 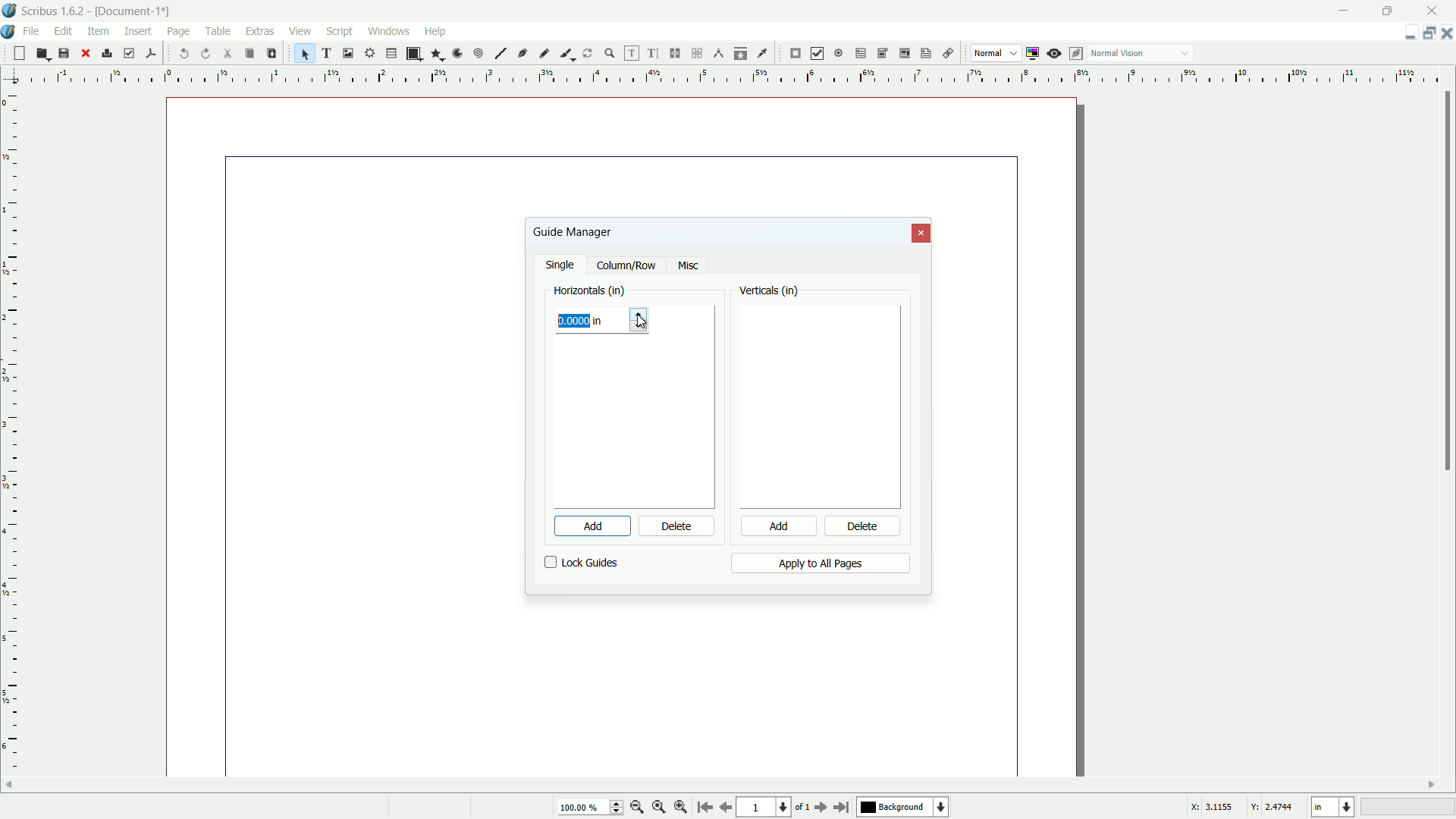 What do you see at coordinates (1447, 283) in the screenshot?
I see `scroll bar` at bounding box center [1447, 283].